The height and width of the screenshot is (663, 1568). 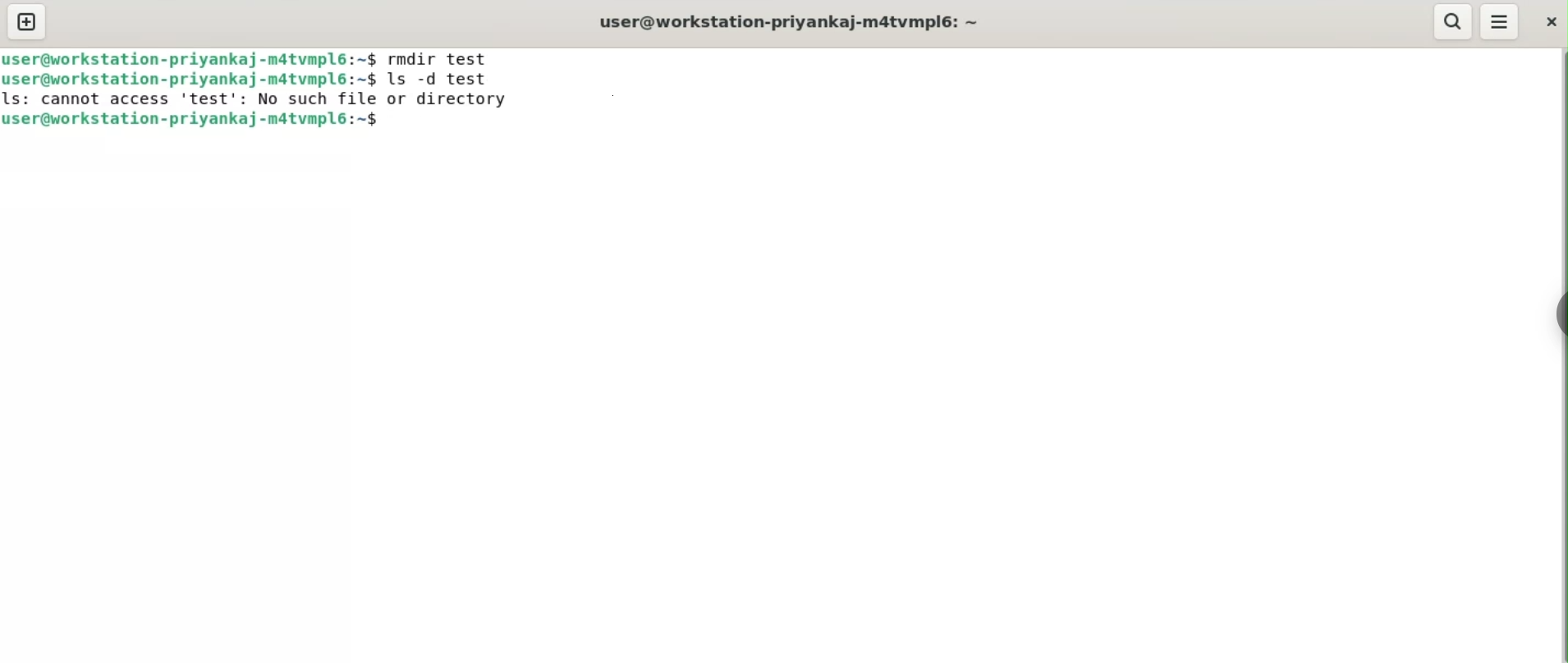 I want to click on LS: cannot access test’: NO such Tile or directory, so click(x=259, y=100).